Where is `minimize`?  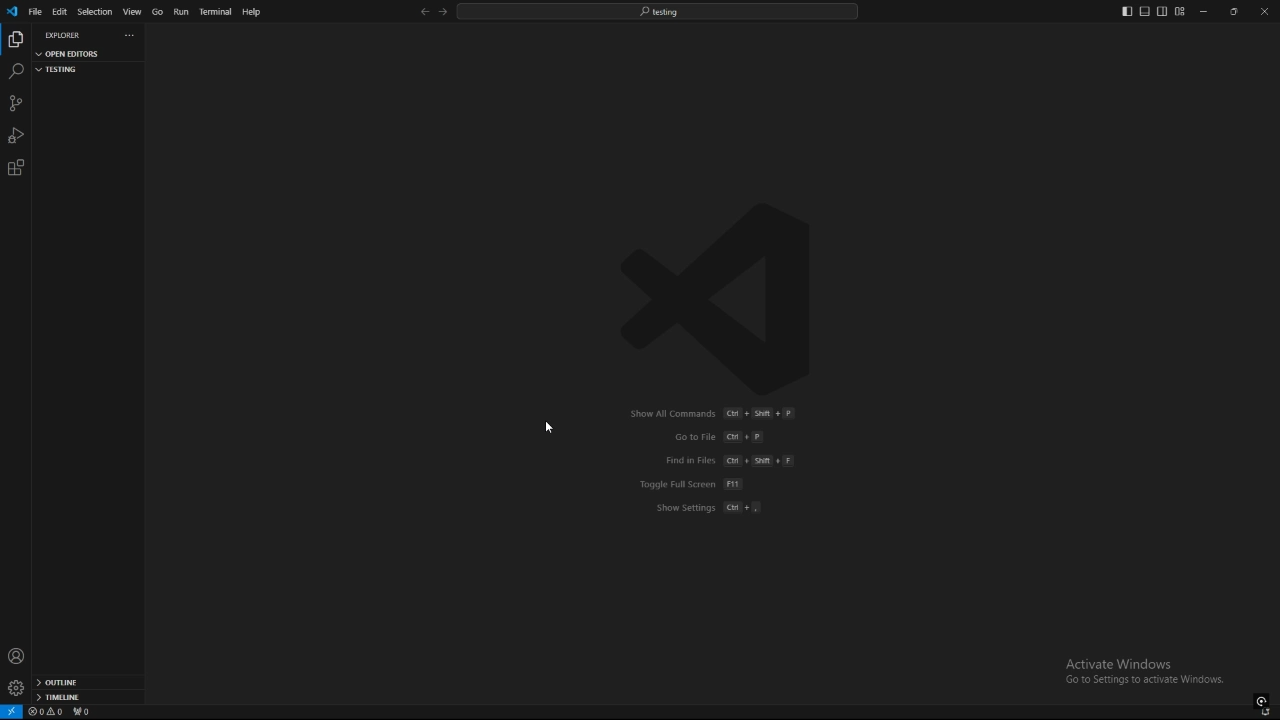
minimize is located at coordinates (1204, 12).